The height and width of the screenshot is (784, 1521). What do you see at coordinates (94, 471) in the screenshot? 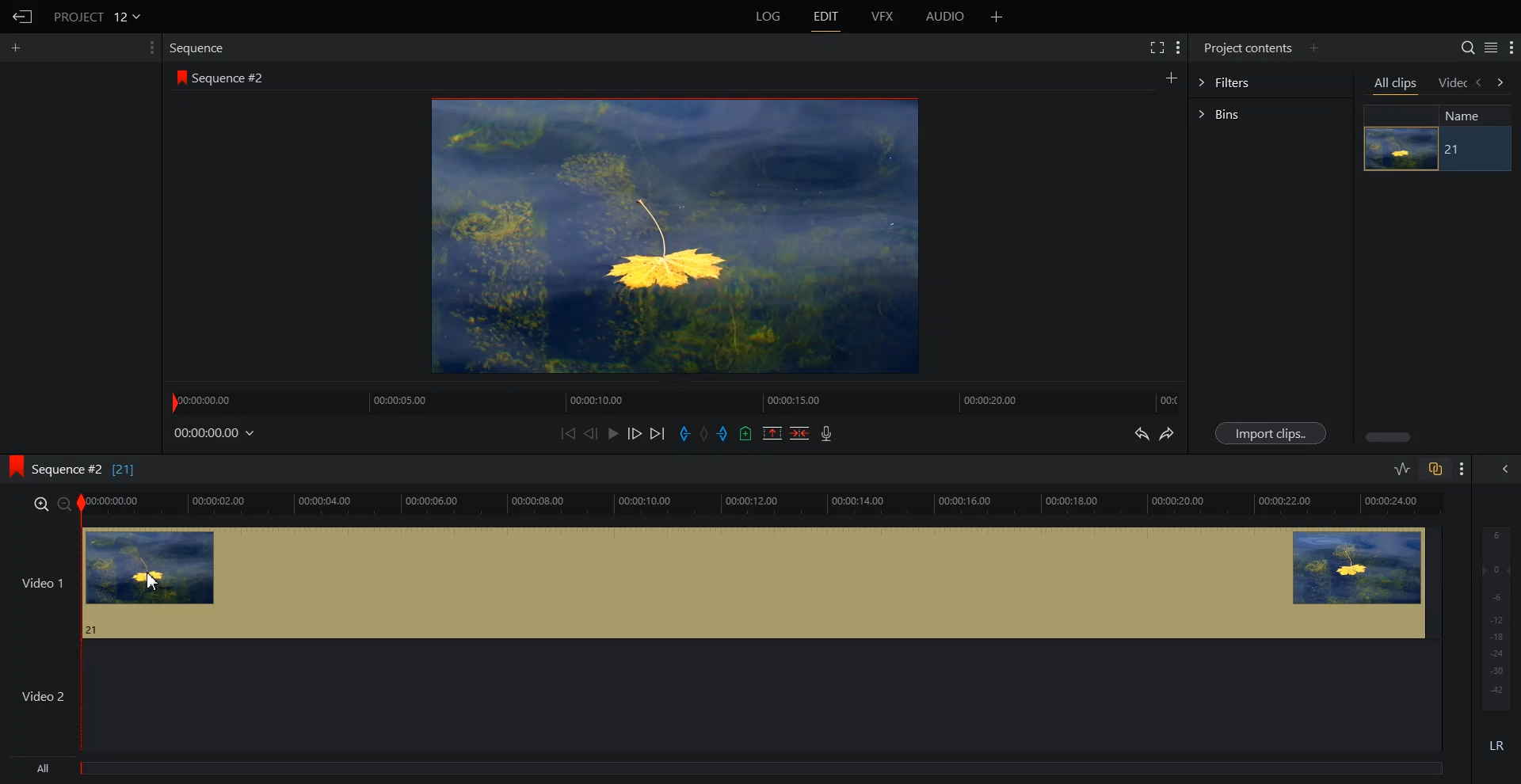
I see `Sequence 2 [21]` at bounding box center [94, 471].